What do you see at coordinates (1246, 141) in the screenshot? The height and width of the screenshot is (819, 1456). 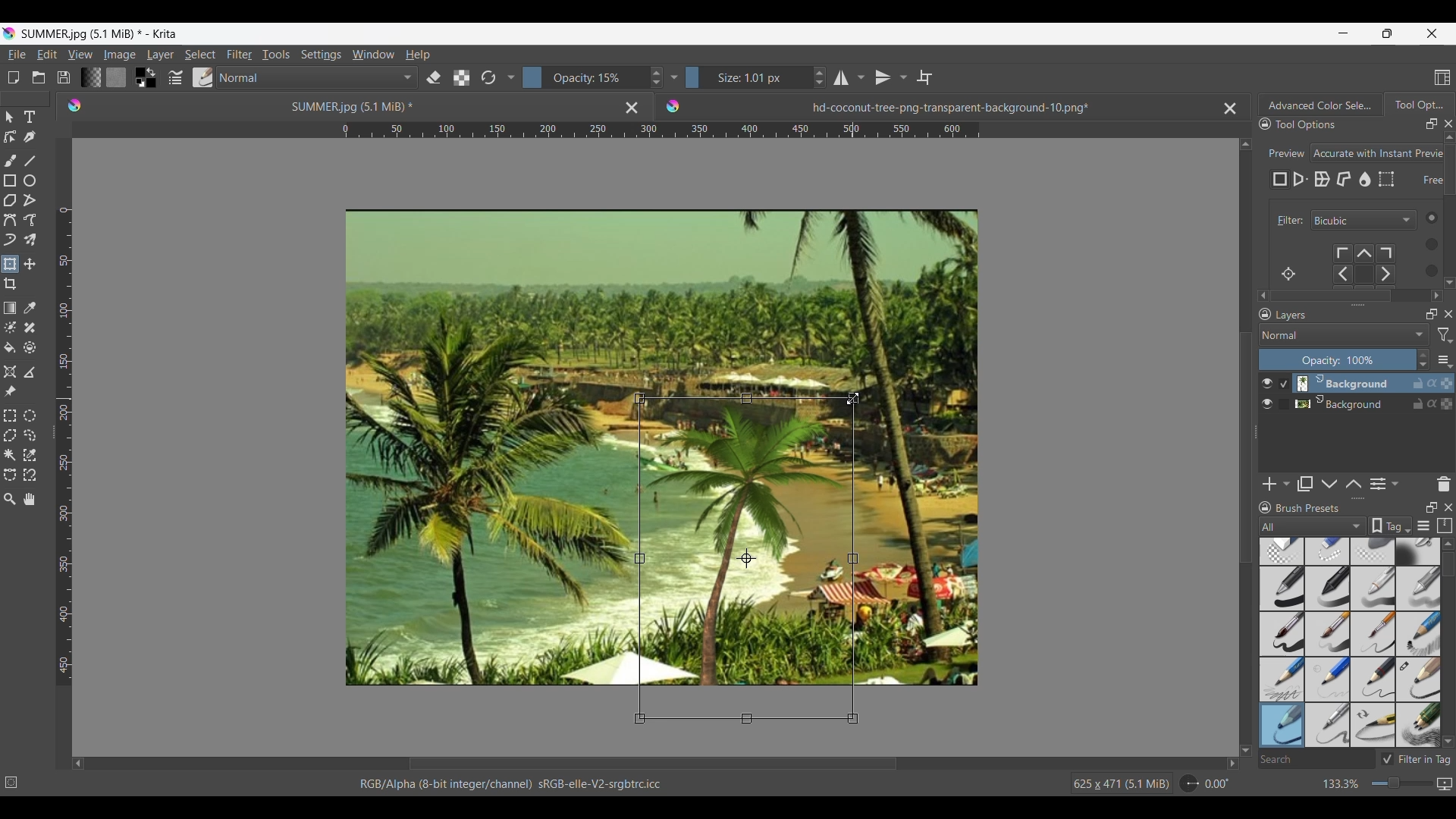 I see `Up` at bounding box center [1246, 141].